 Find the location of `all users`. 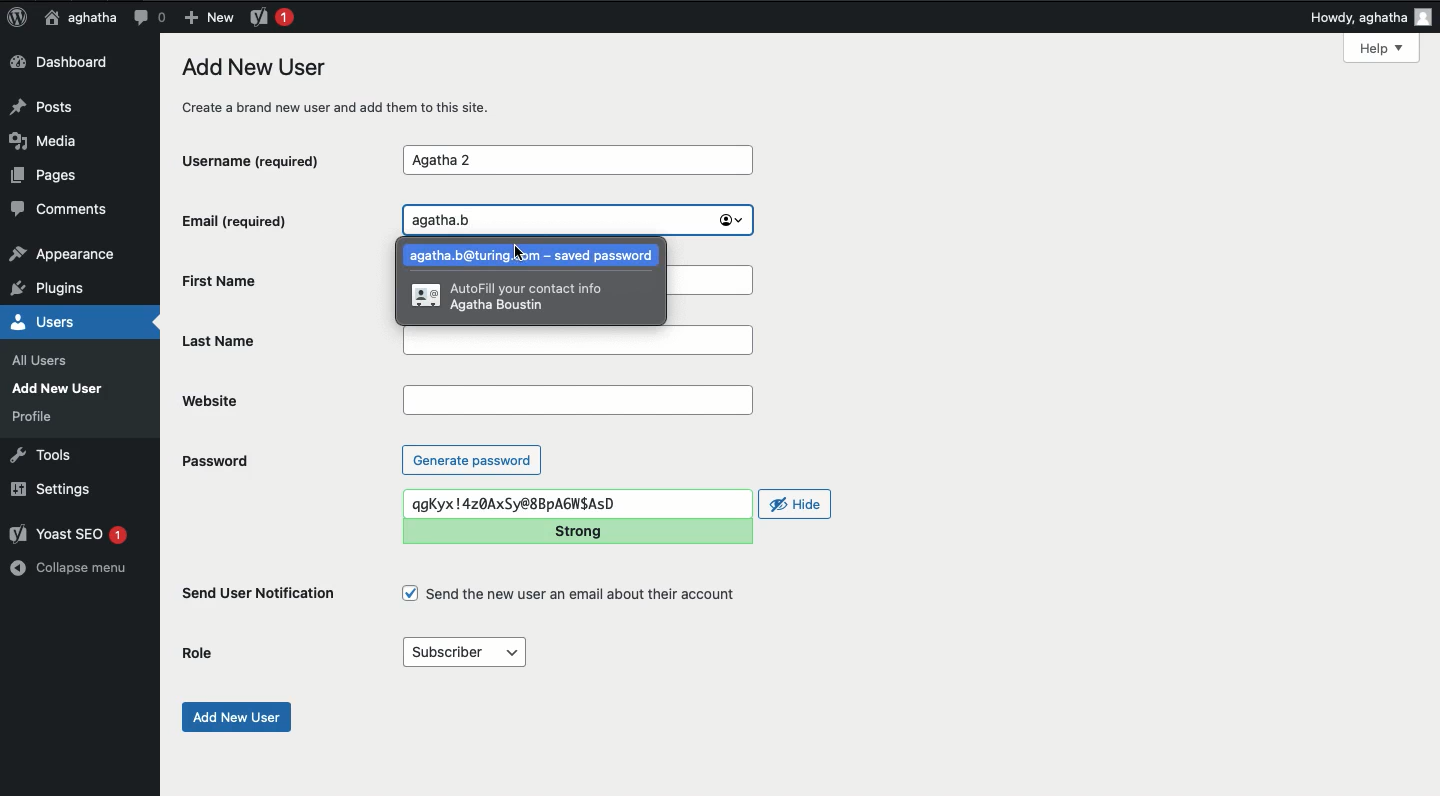

all users is located at coordinates (45, 361).